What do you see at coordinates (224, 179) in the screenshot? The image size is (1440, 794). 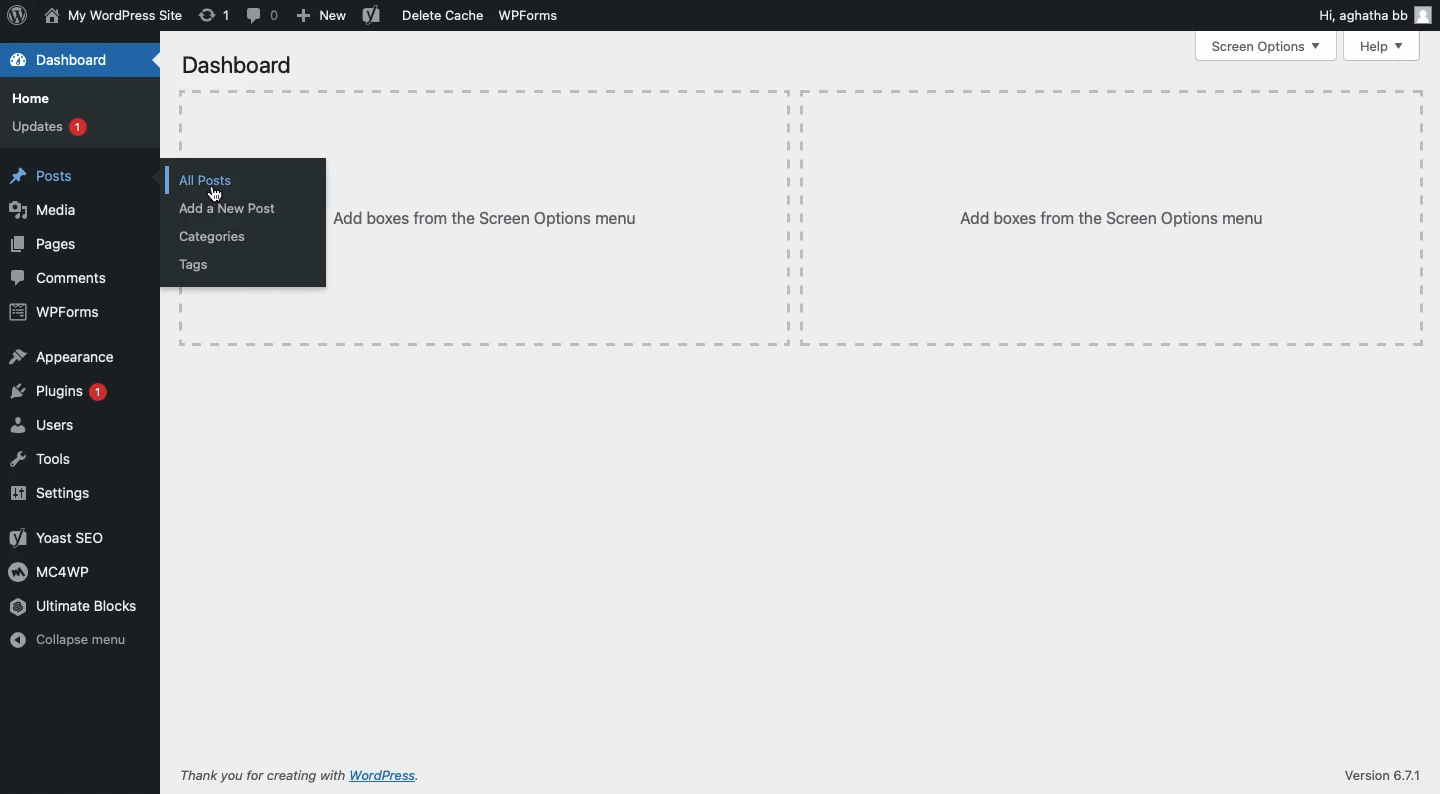 I see `All posts` at bounding box center [224, 179].